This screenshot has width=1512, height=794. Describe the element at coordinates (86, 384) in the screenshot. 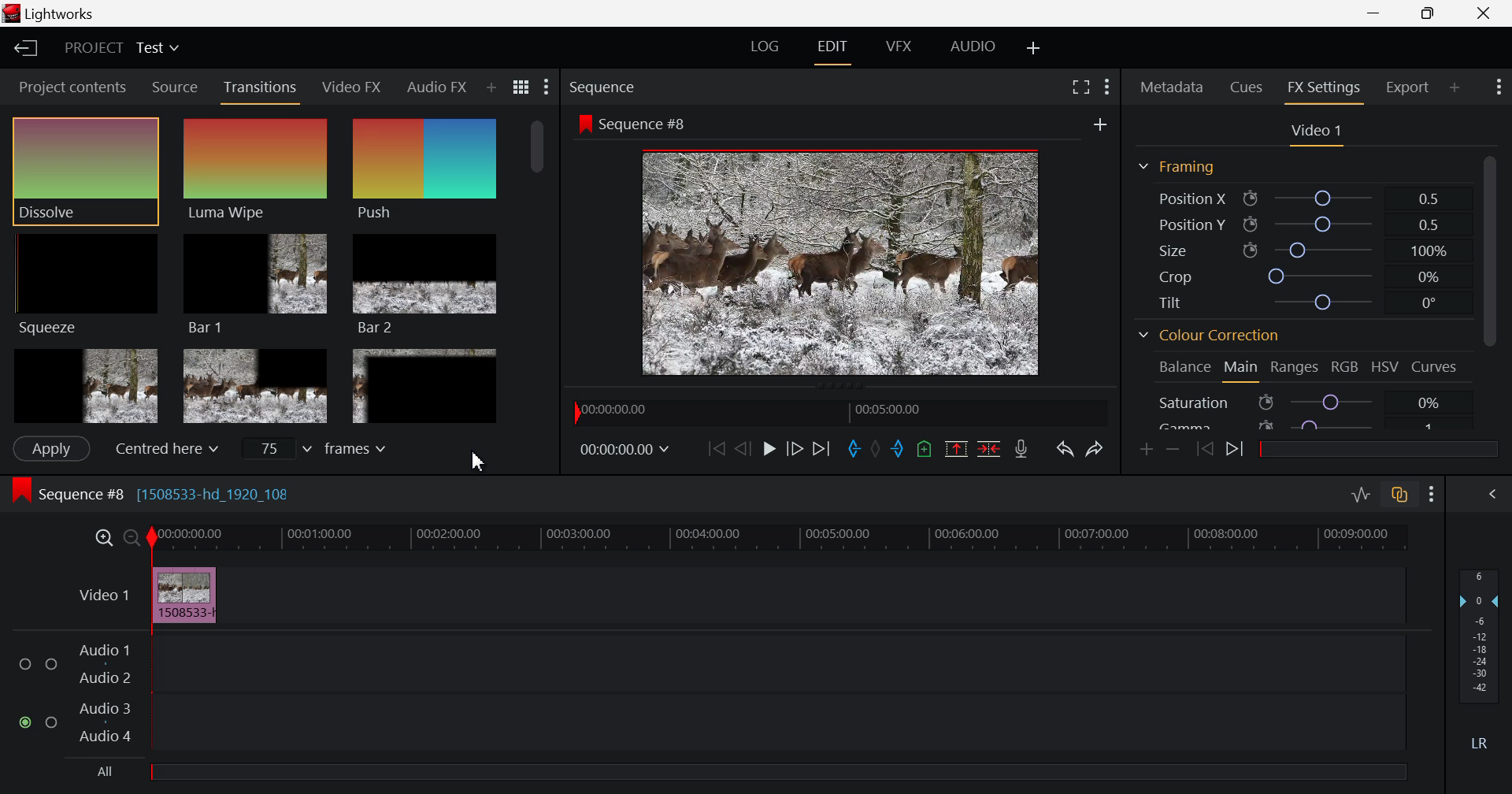

I see `Box 1` at that location.